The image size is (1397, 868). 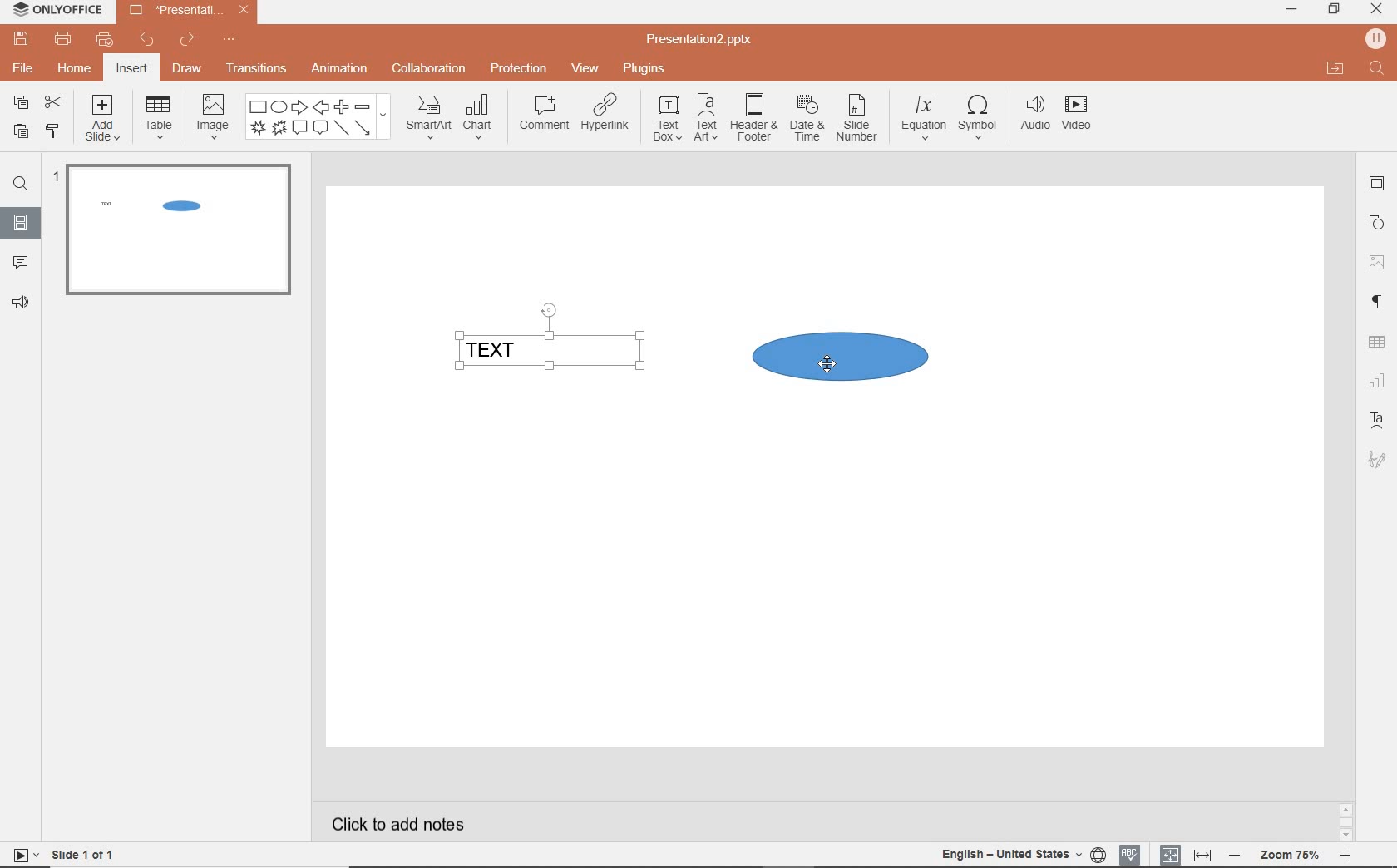 I want to click on cut, so click(x=53, y=104).